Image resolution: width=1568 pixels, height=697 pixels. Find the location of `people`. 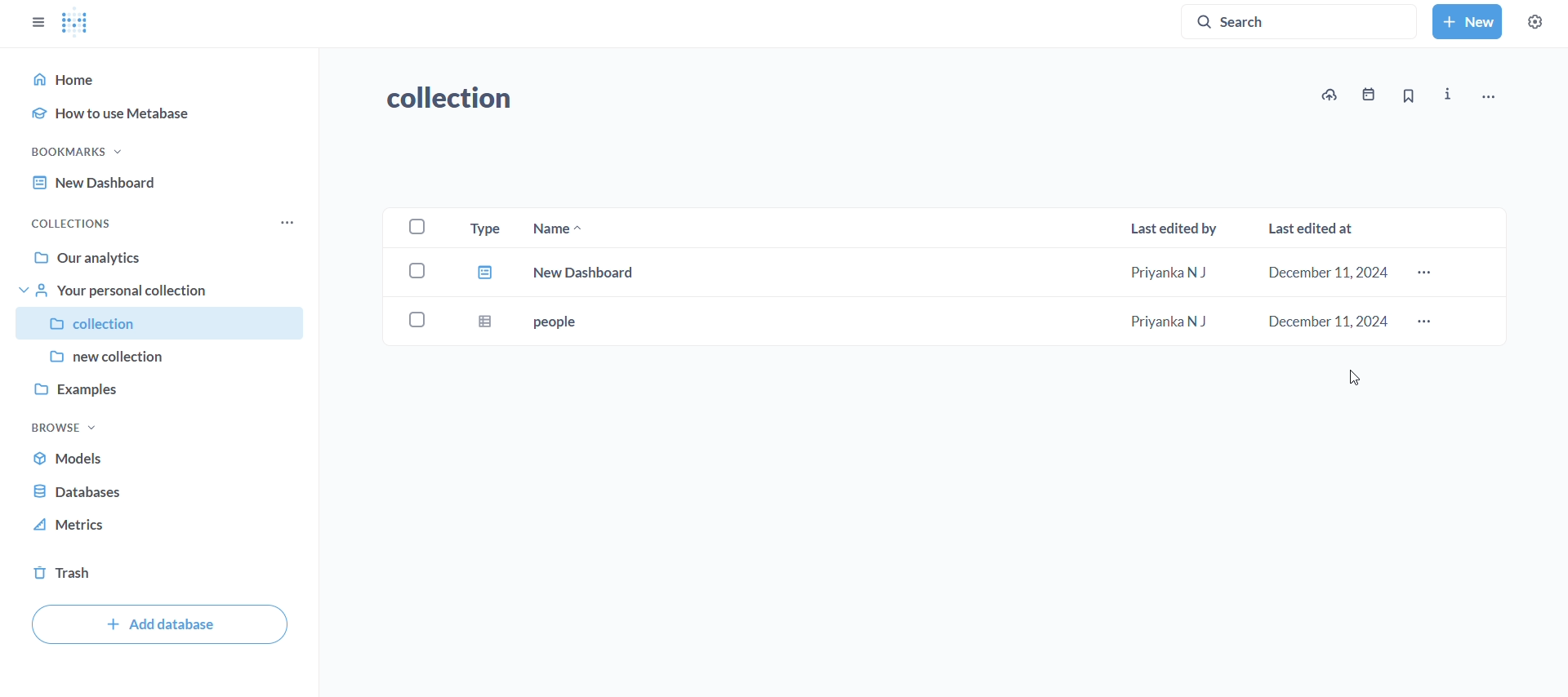

people is located at coordinates (933, 322).